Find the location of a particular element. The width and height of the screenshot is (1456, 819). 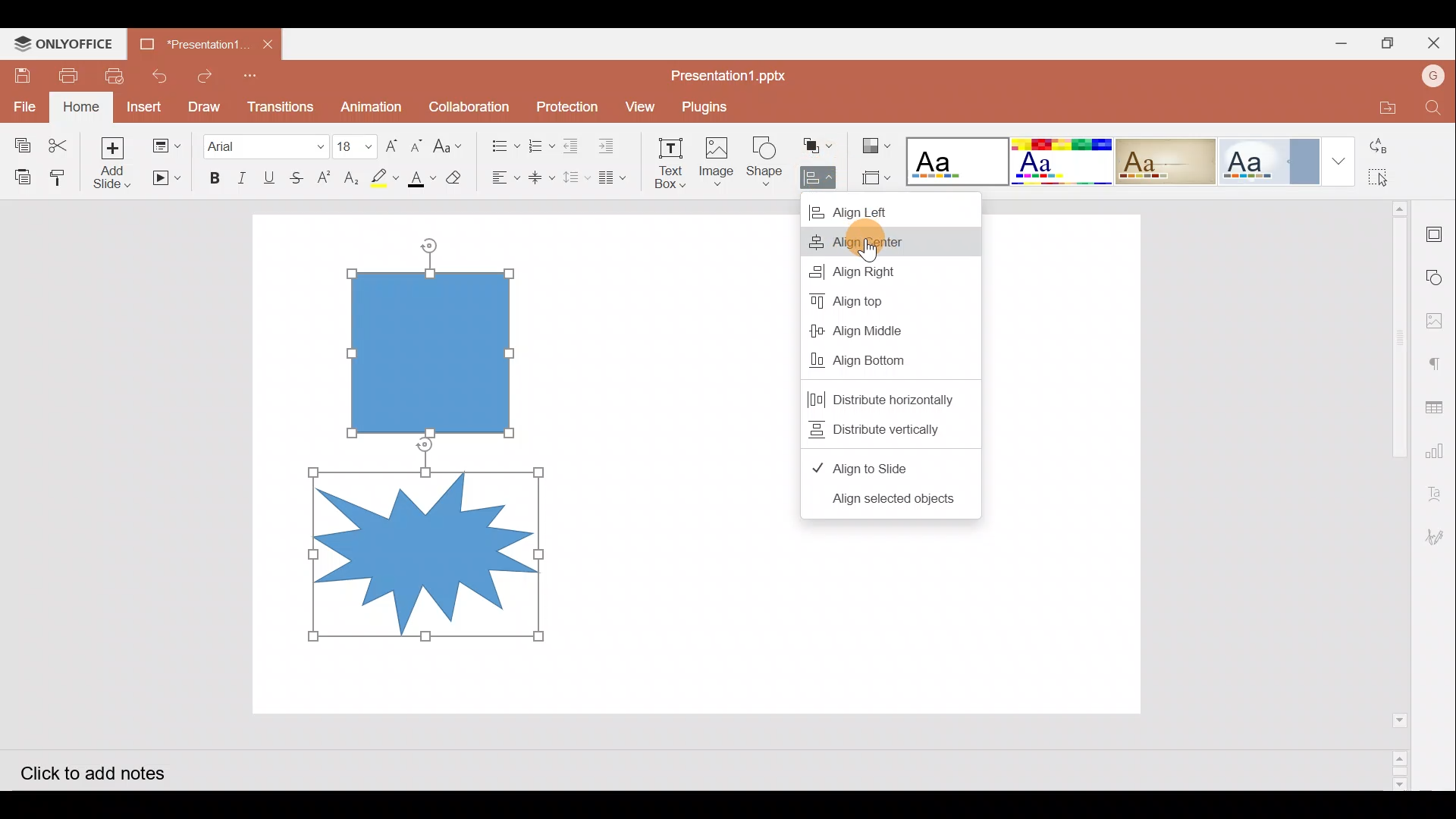

Copy style is located at coordinates (61, 175).